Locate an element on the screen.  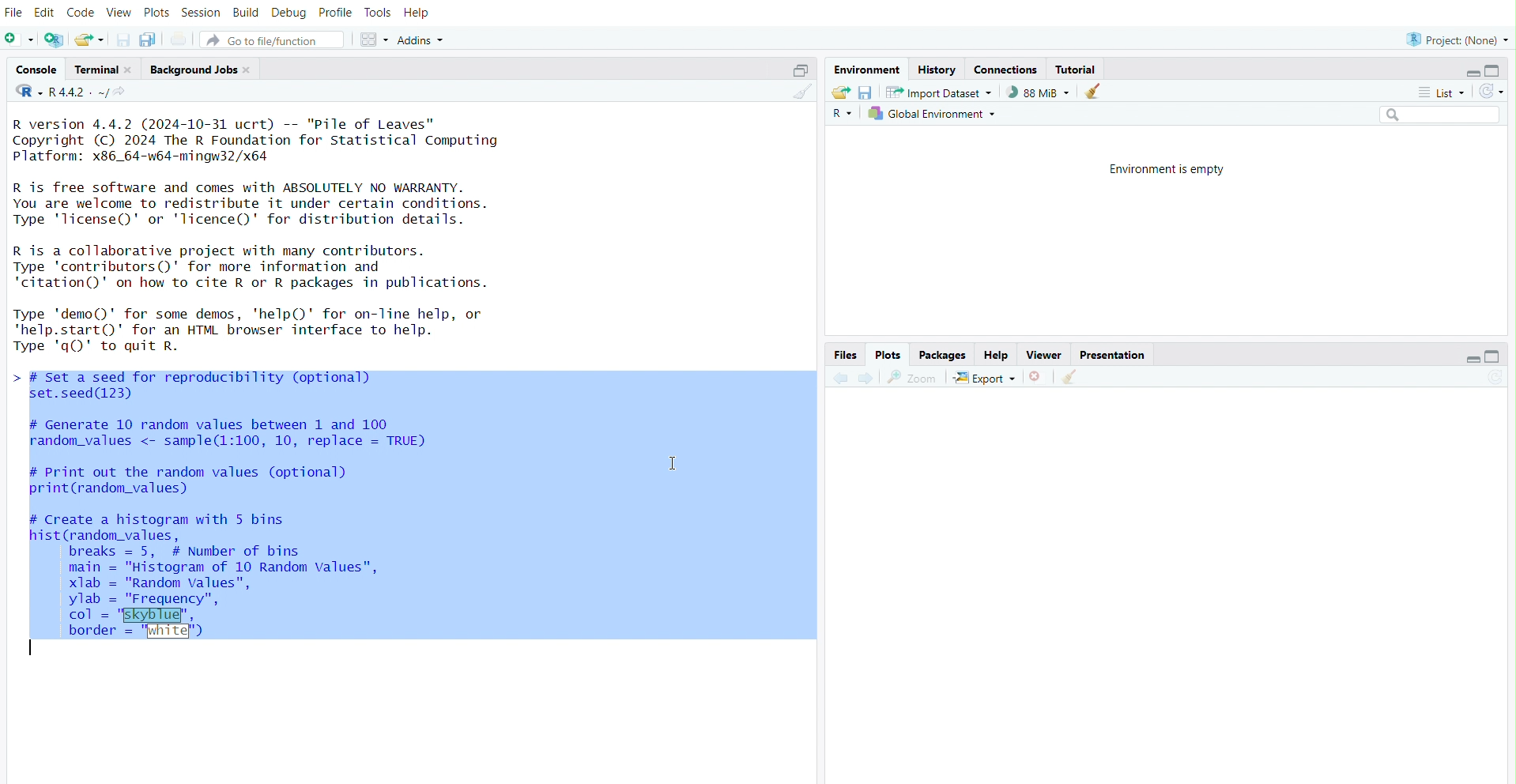
connections is located at coordinates (1006, 68).